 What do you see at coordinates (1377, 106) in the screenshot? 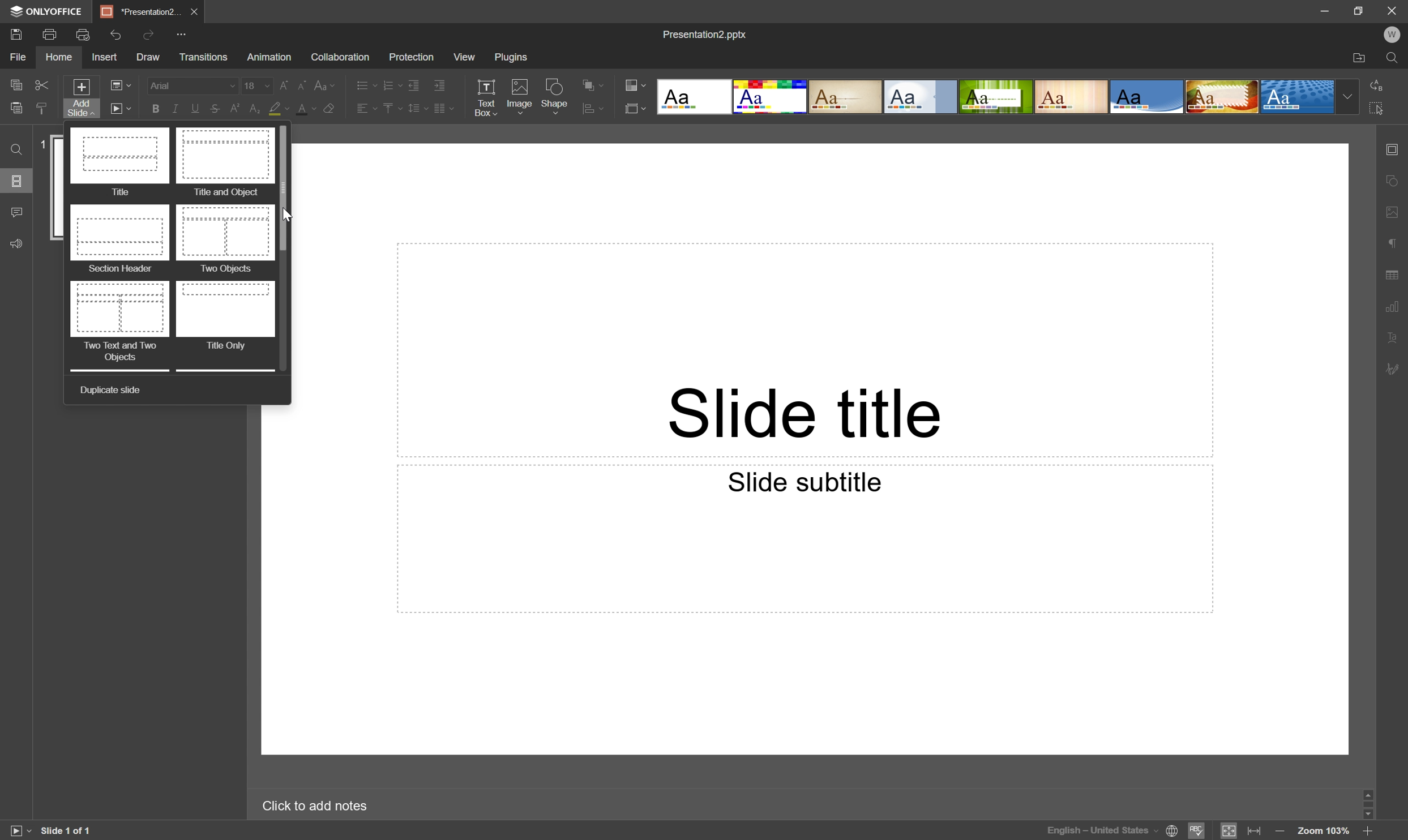
I see `Select all` at bounding box center [1377, 106].